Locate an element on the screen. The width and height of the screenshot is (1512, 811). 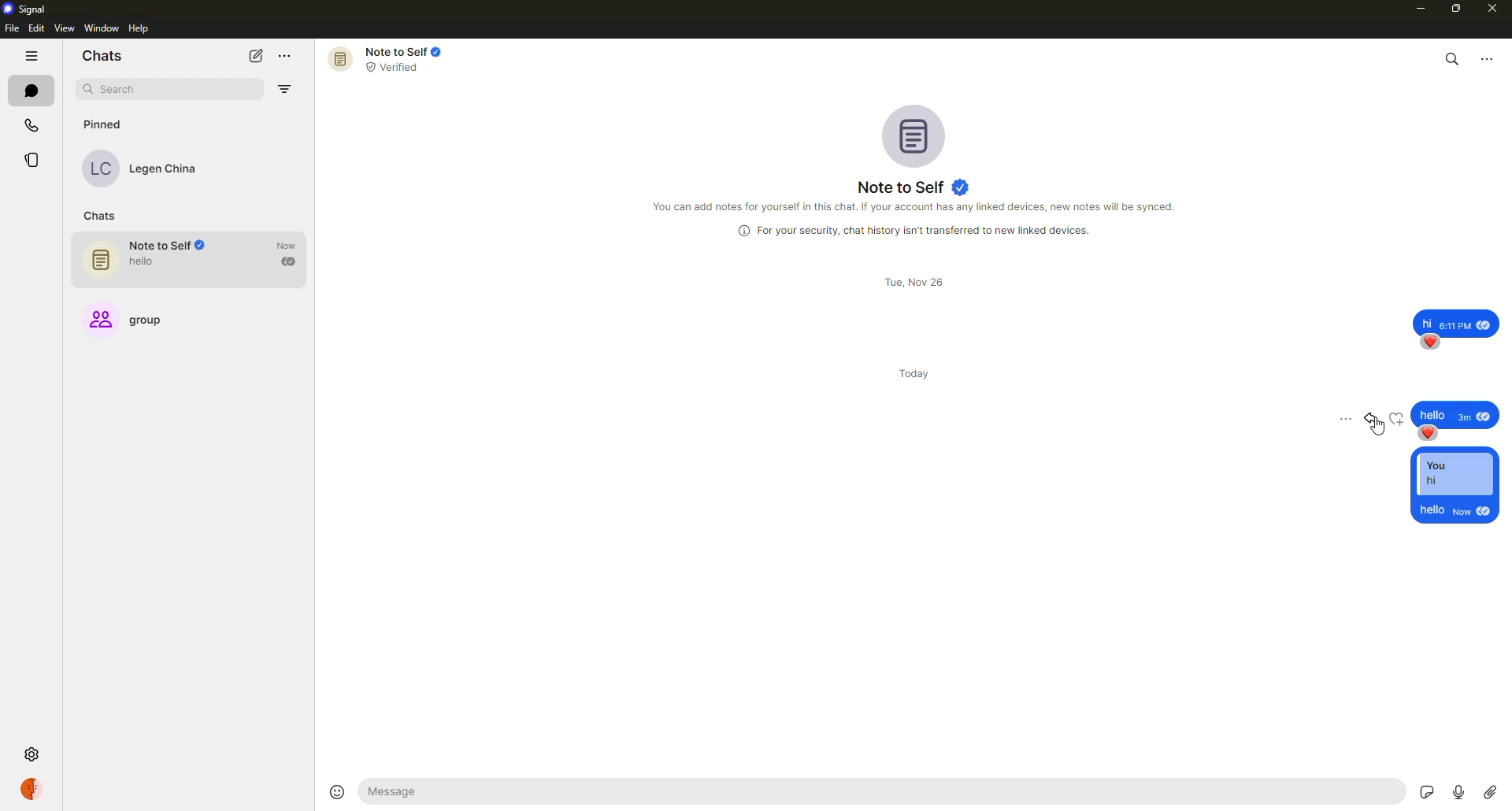
new chat is located at coordinates (256, 55).